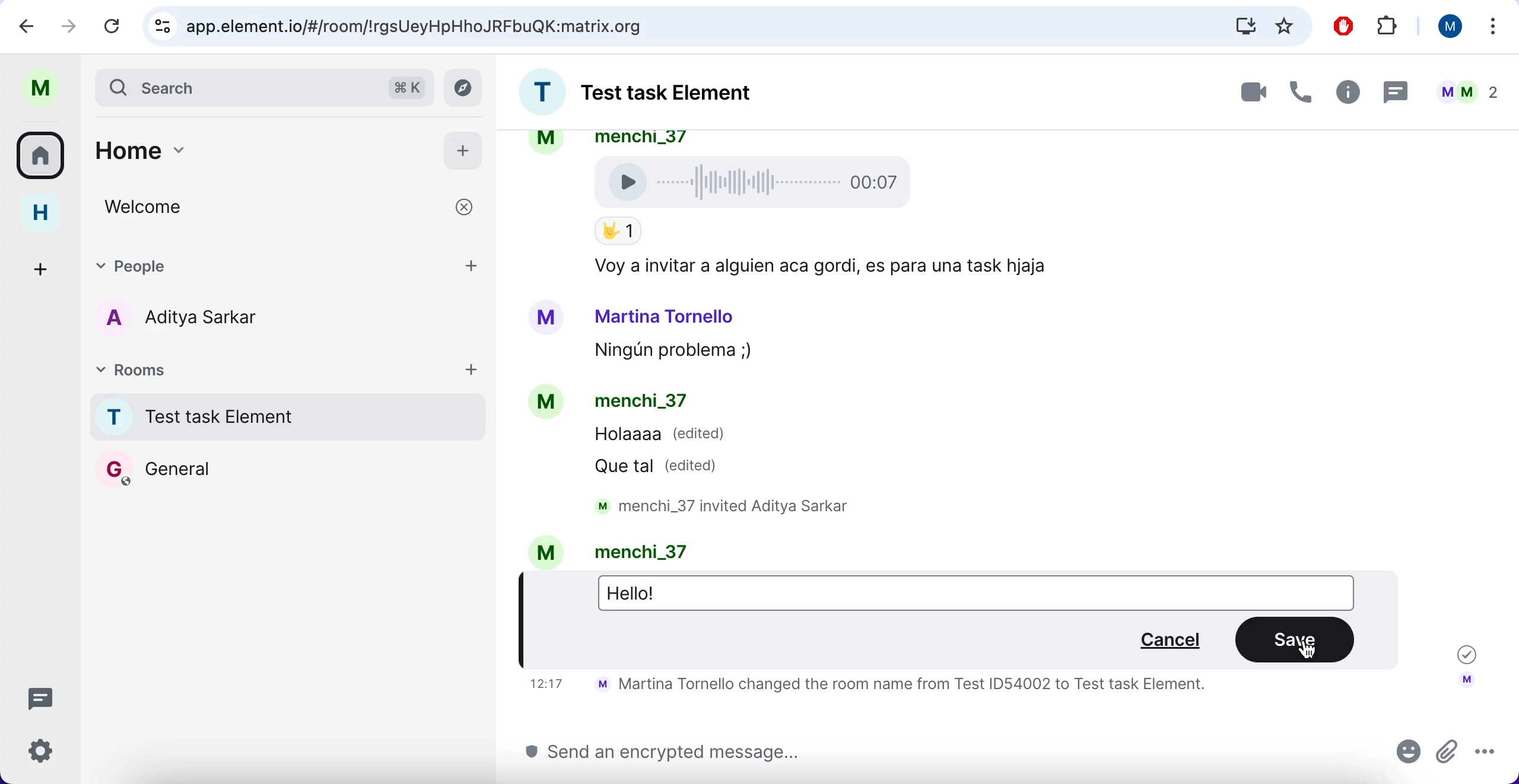 The height and width of the screenshot is (784, 1519). What do you see at coordinates (673, 27) in the screenshot?
I see `search bar` at bounding box center [673, 27].